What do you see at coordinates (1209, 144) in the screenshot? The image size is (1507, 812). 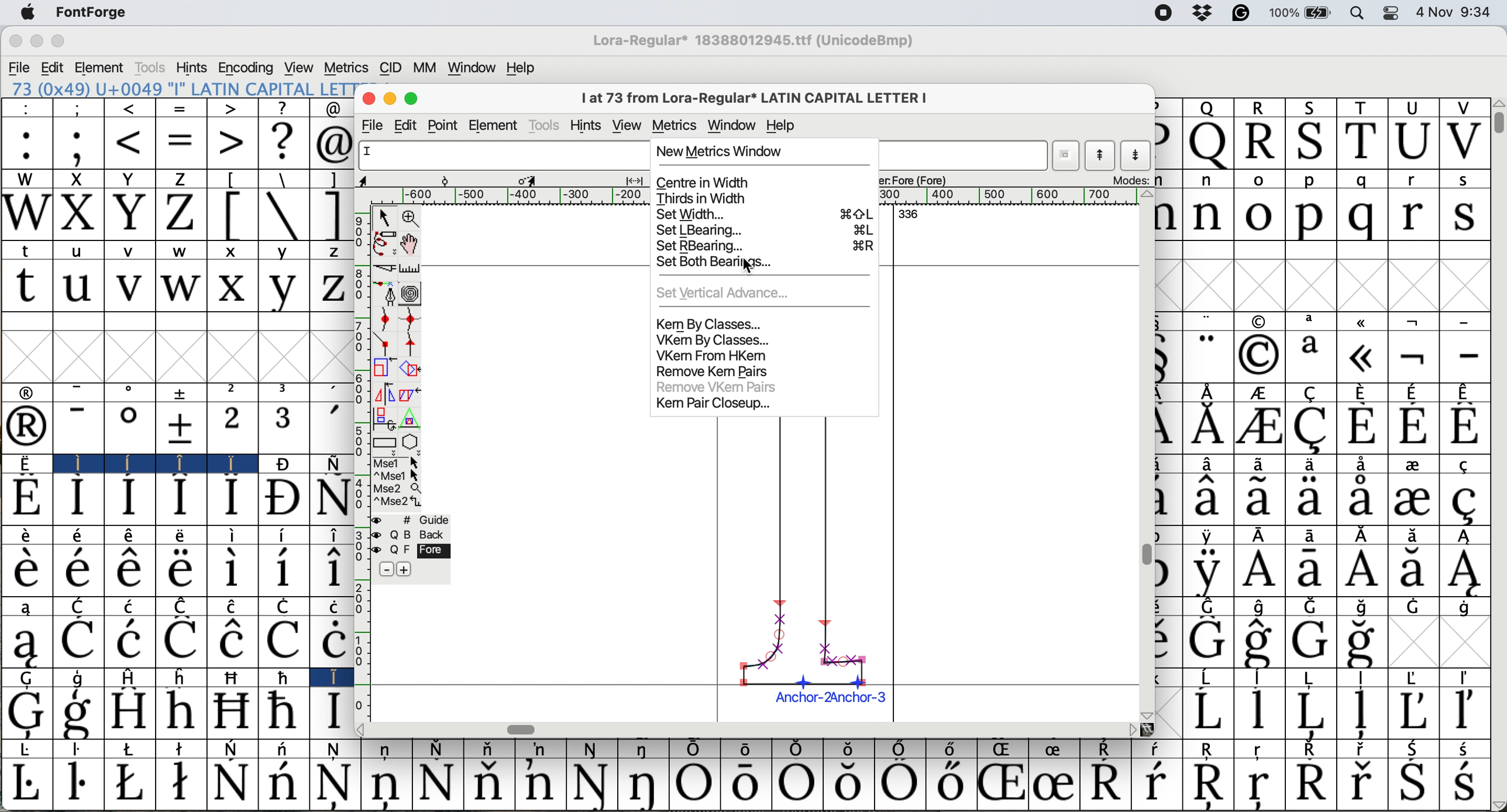 I see `Q` at bounding box center [1209, 144].